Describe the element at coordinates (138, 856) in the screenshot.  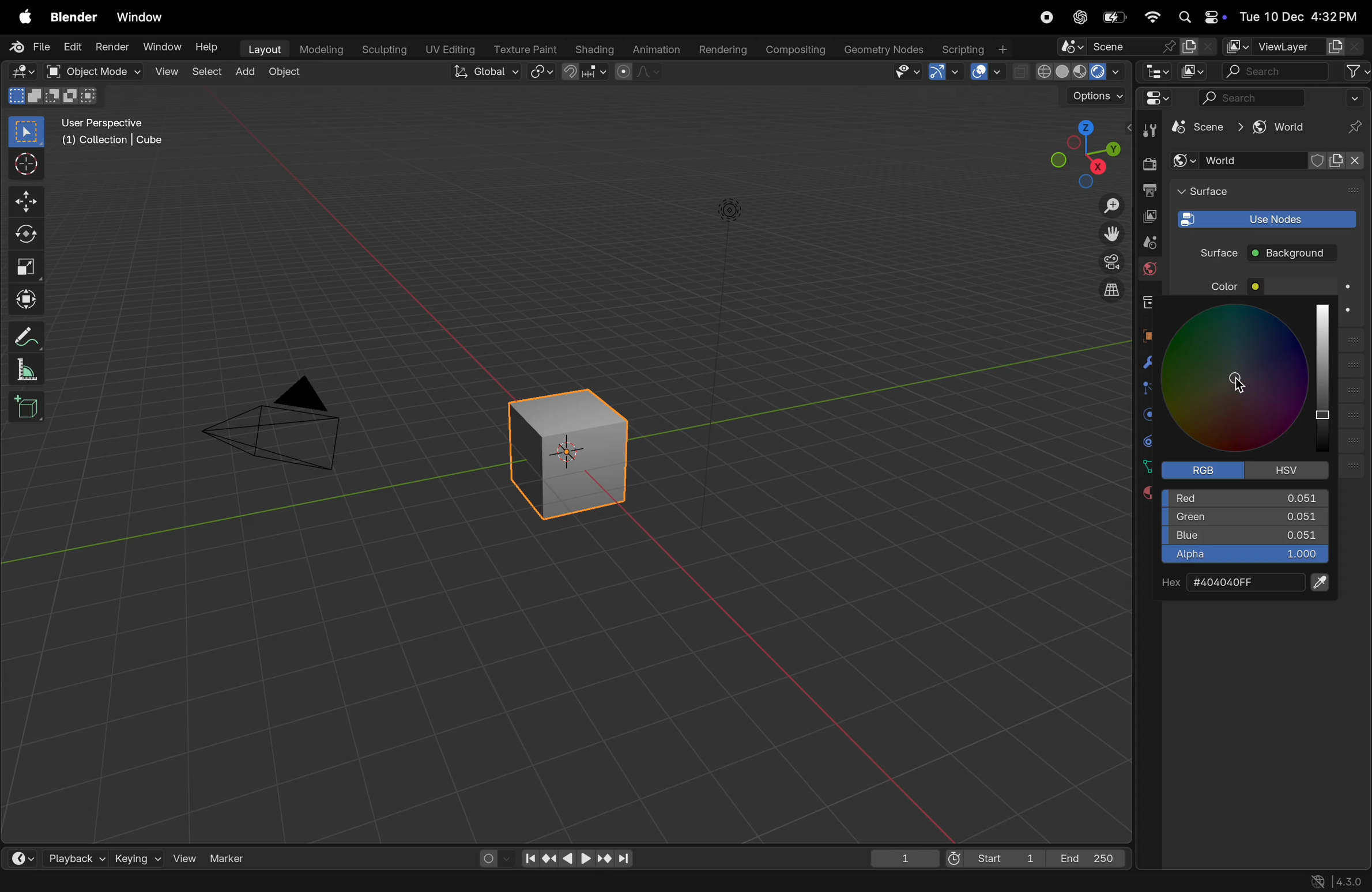
I see `keying` at that location.